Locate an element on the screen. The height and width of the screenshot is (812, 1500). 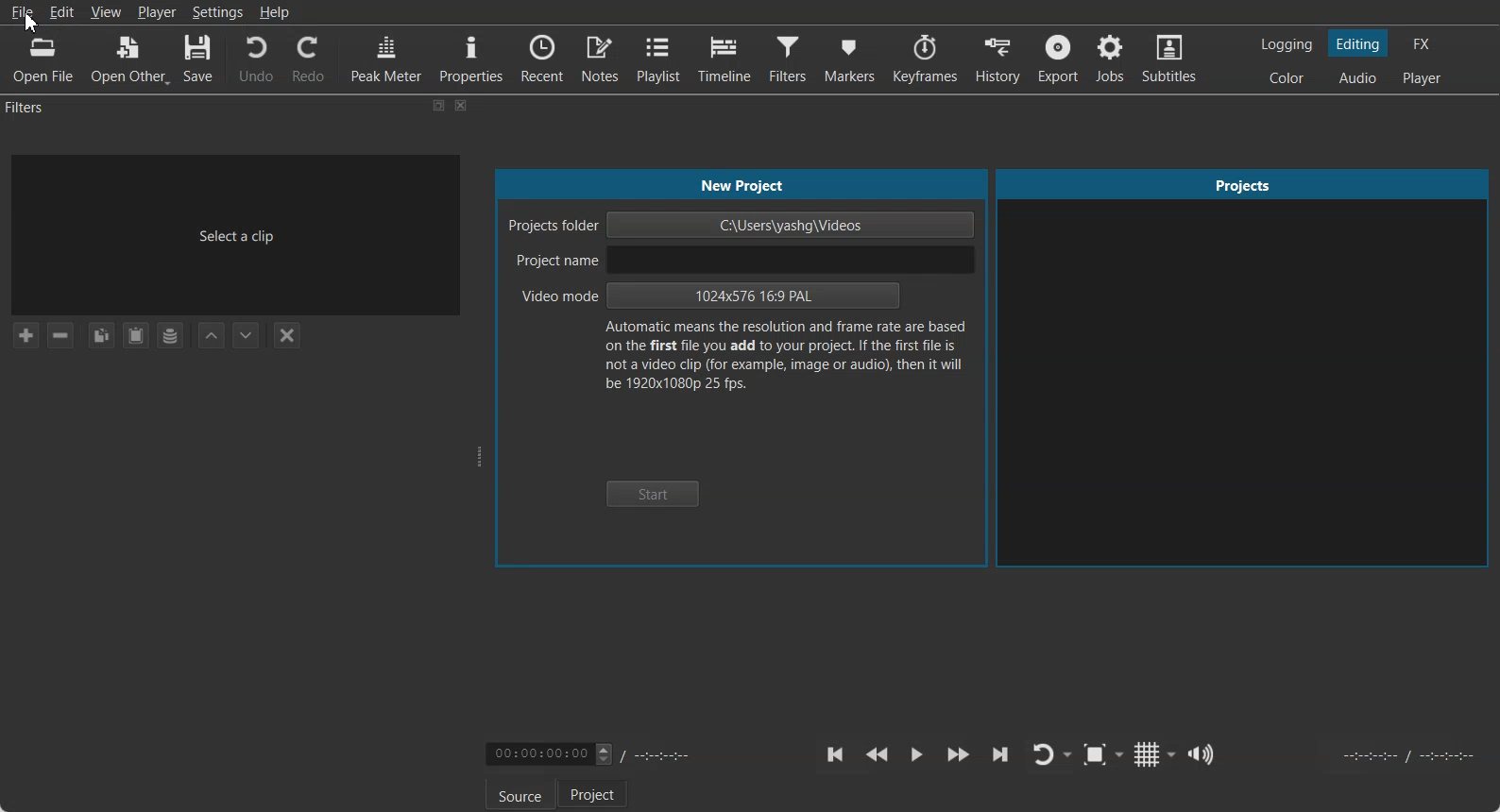
View is located at coordinates (105, 11).